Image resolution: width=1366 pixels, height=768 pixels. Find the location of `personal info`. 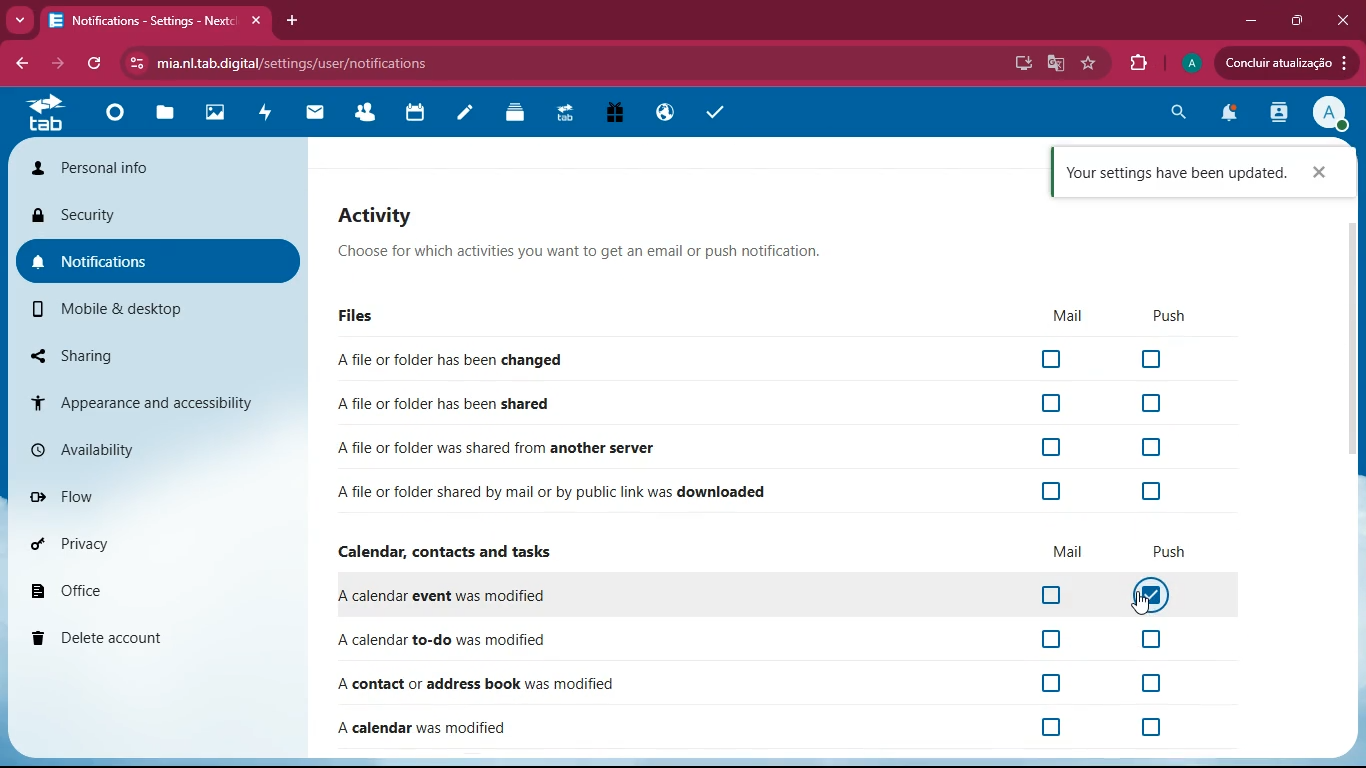

personal info is located at coordinates (160, 167).